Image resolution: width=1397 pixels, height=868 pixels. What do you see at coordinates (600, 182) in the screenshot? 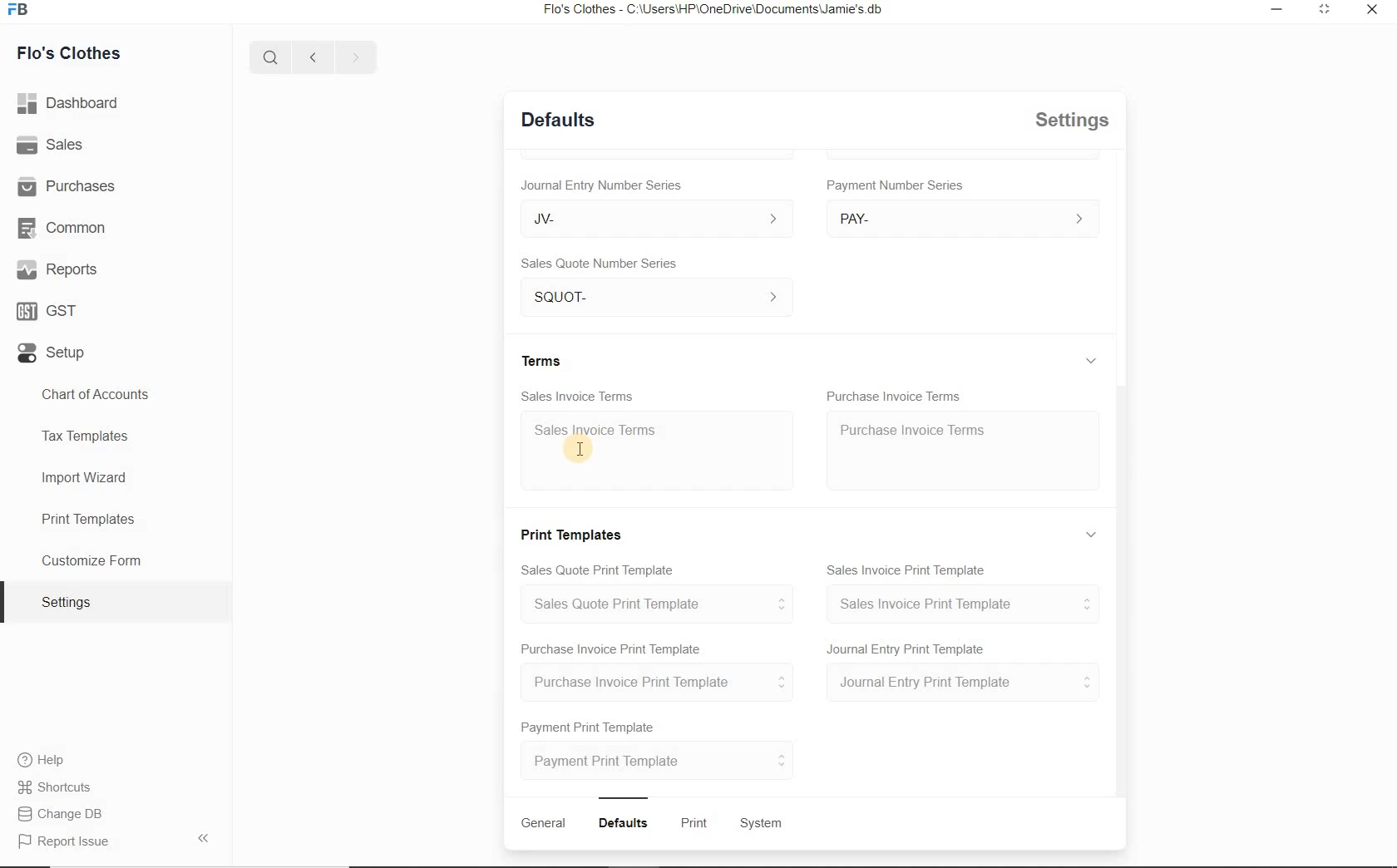
I see `Journal Entry Number Series` at bounding box center [600, 182].